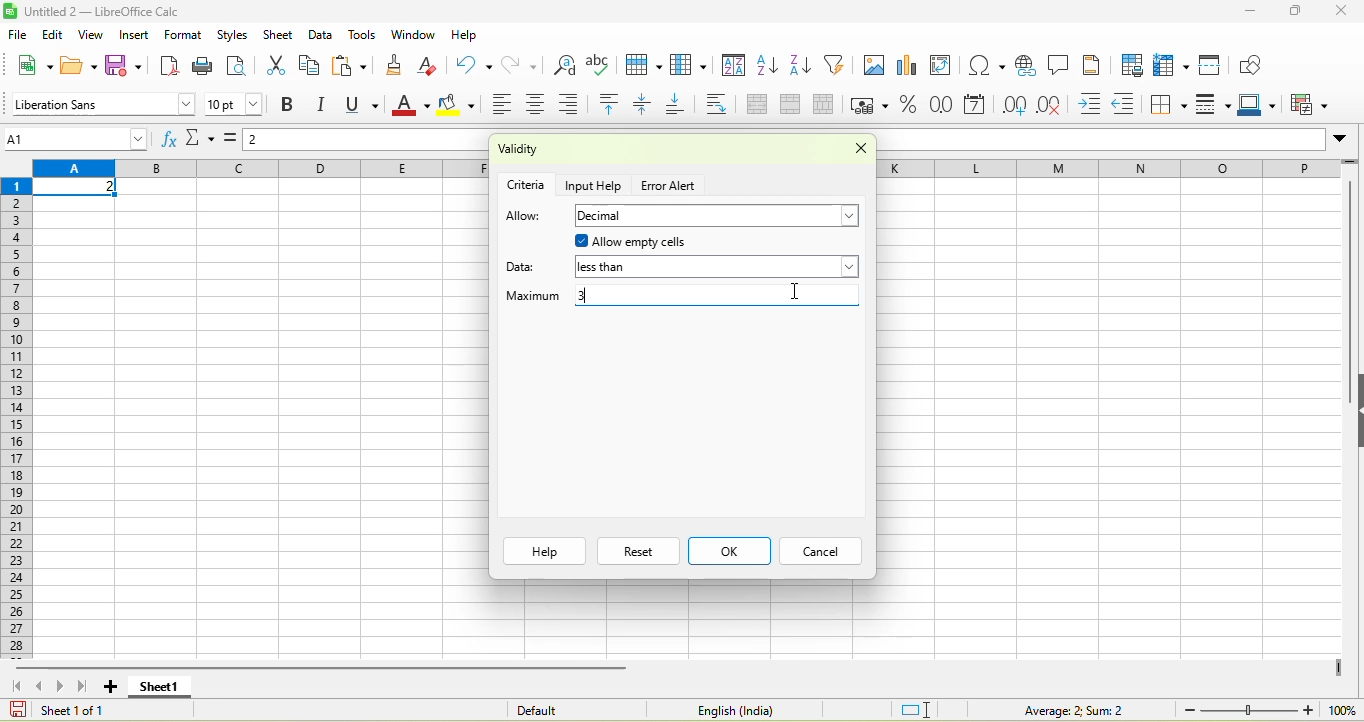 The height and width of the screenshot is (722, 1364). Describe the element at coordinates (946, 67) in the screenshot. I see `pivot table` at that location.